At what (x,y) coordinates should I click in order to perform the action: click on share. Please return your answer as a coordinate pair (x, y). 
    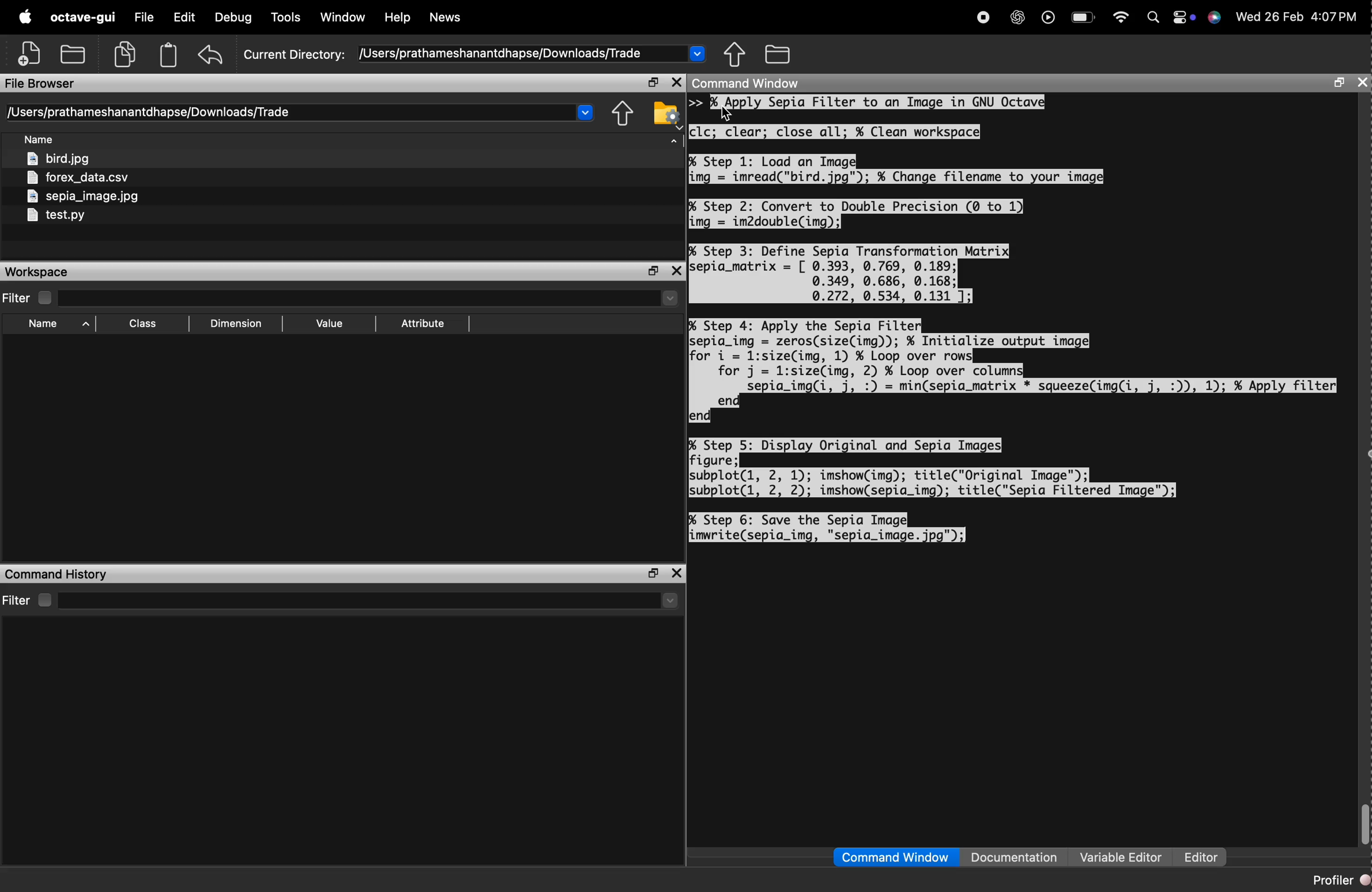
    Looking at the image, I should click on (624, 114).